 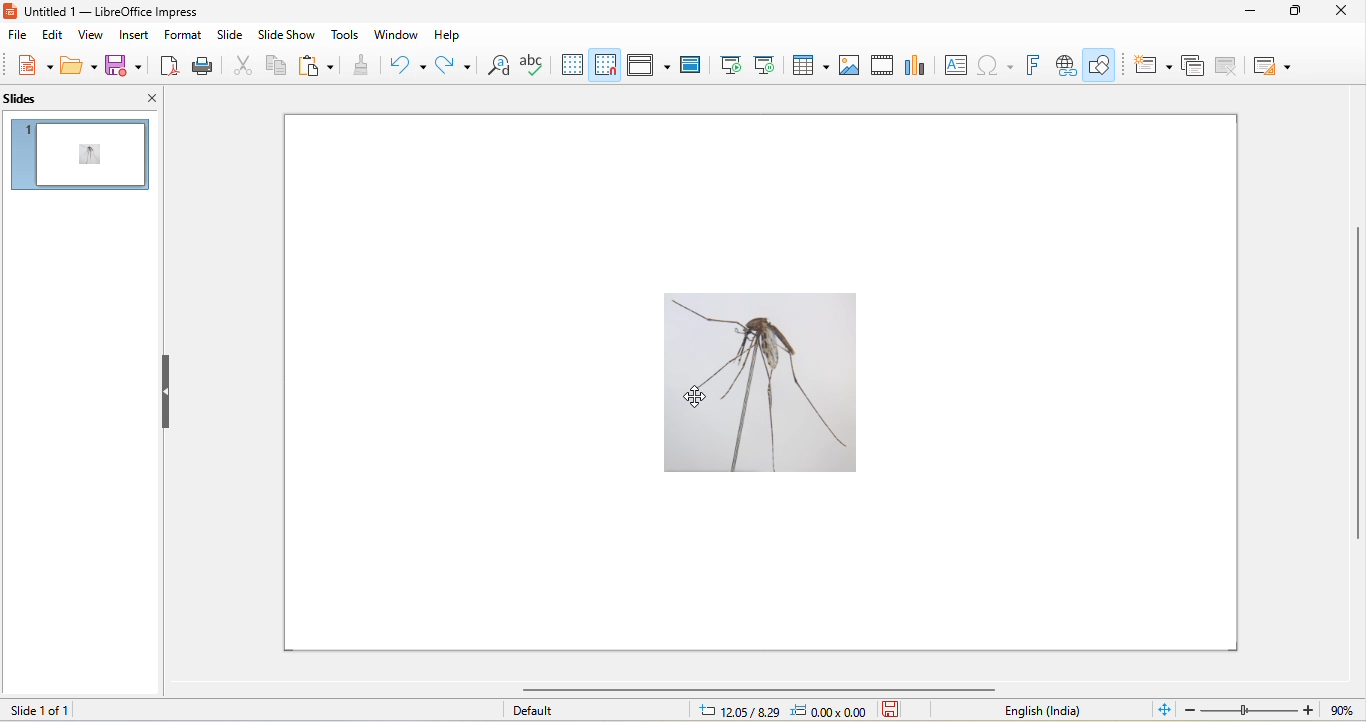 I want to click on horizontal scroll, so click(x=788, y=690).